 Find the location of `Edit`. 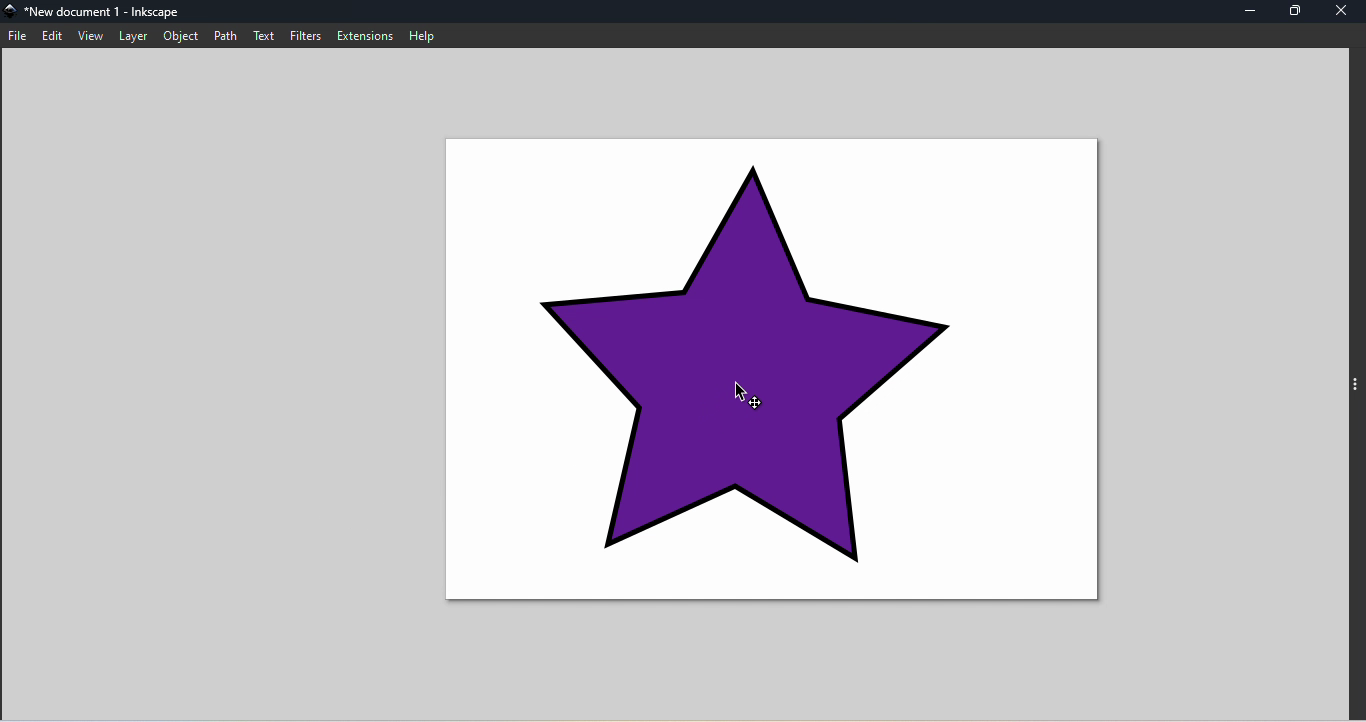

Edit is located at coordinates (55, 38).